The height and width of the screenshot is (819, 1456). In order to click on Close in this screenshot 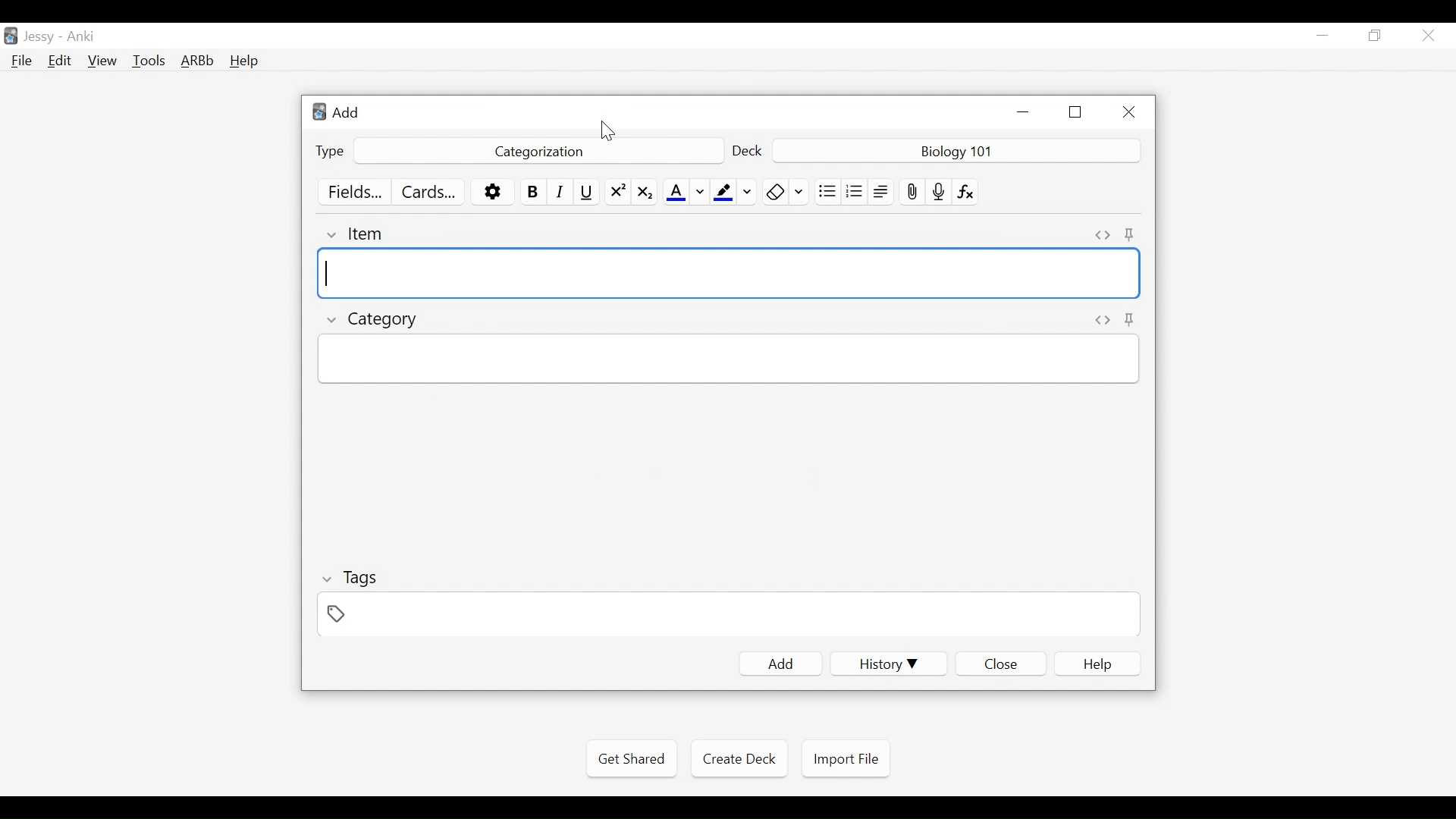, I will do `click(1428, 36)`.